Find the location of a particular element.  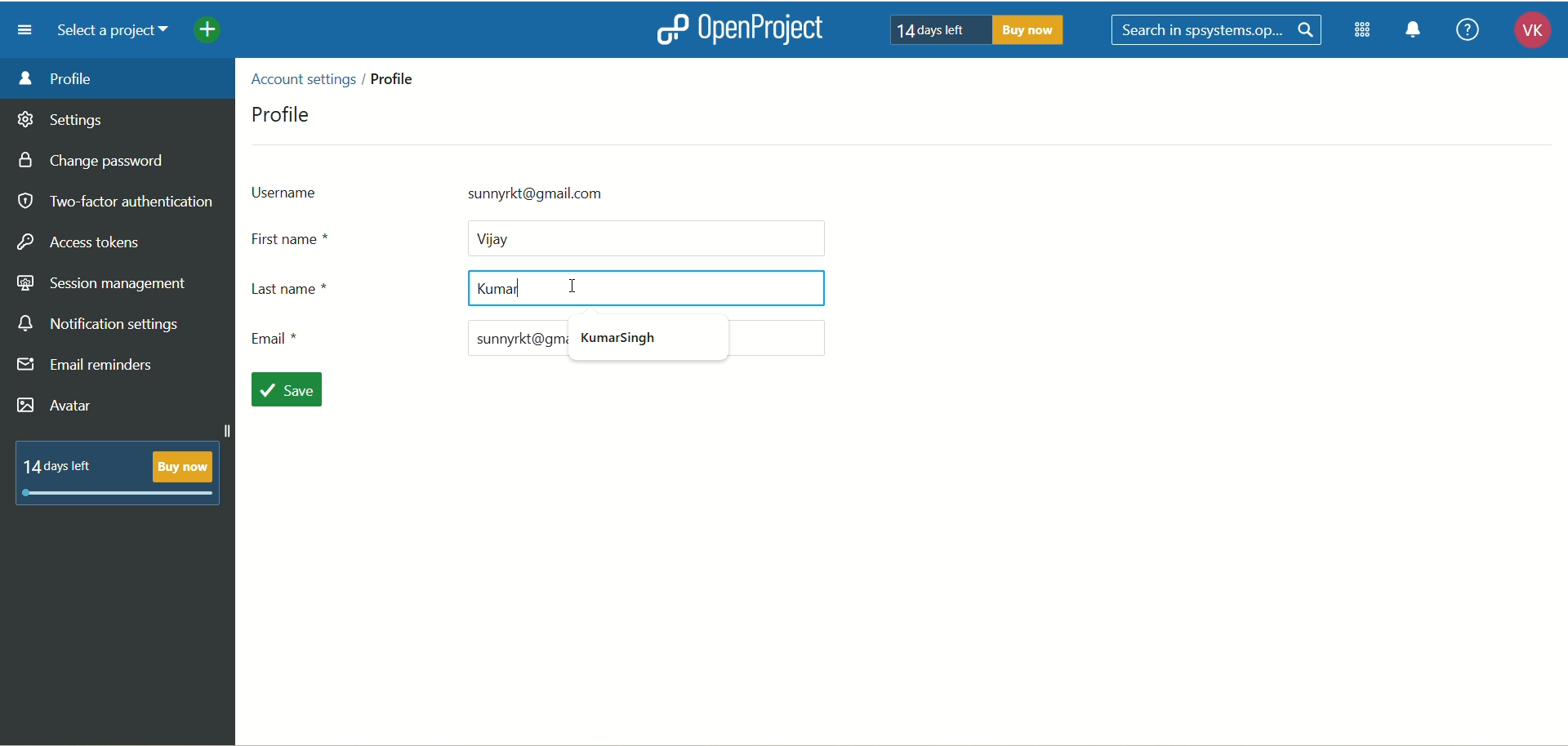

notification is located at coordinates (1419, 33).